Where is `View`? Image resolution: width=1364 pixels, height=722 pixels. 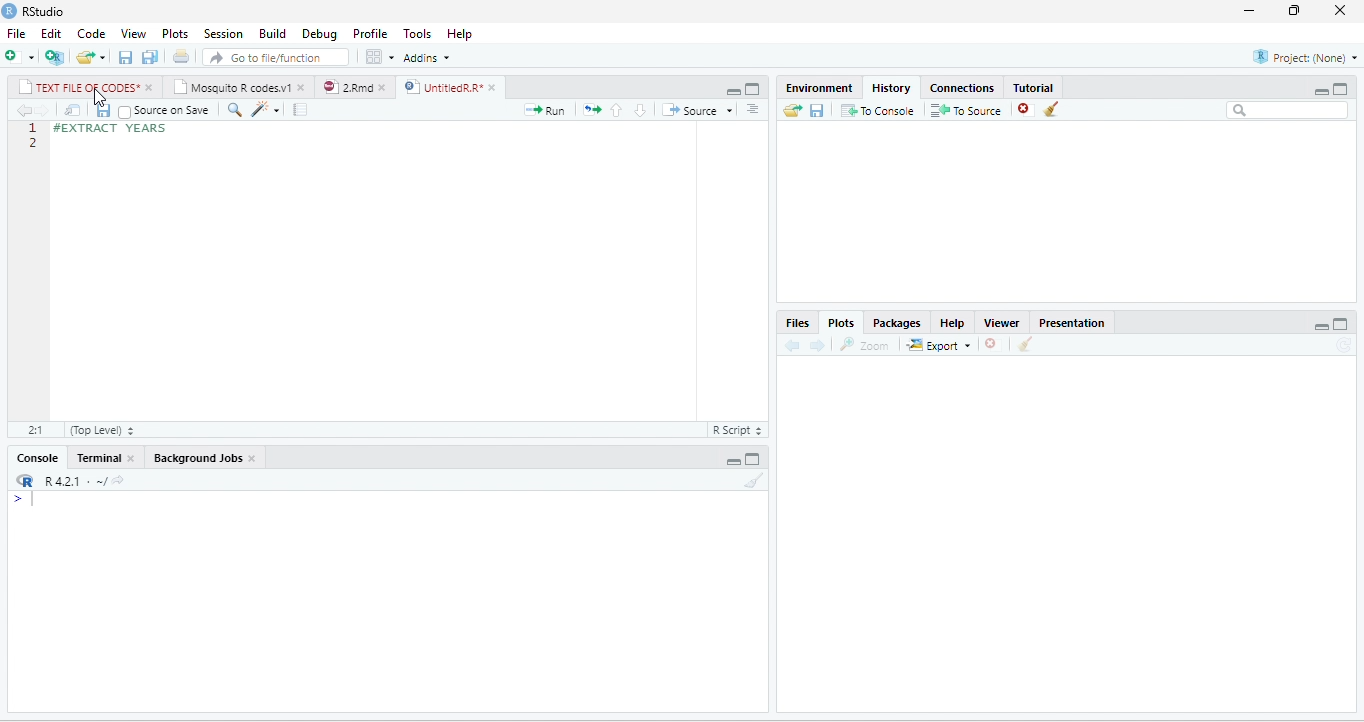
View is located at coordinates (133, 34).